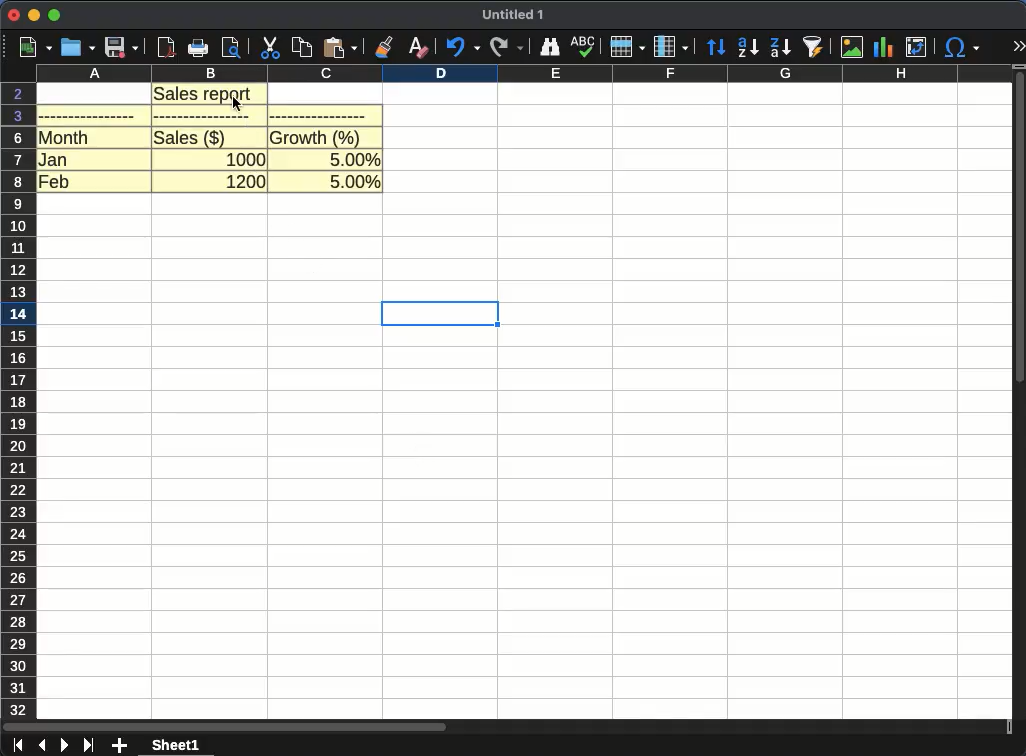 The height and width of the screenshot is (756, 1026). I want to click on UNTITLED 1, so click(513, 16).